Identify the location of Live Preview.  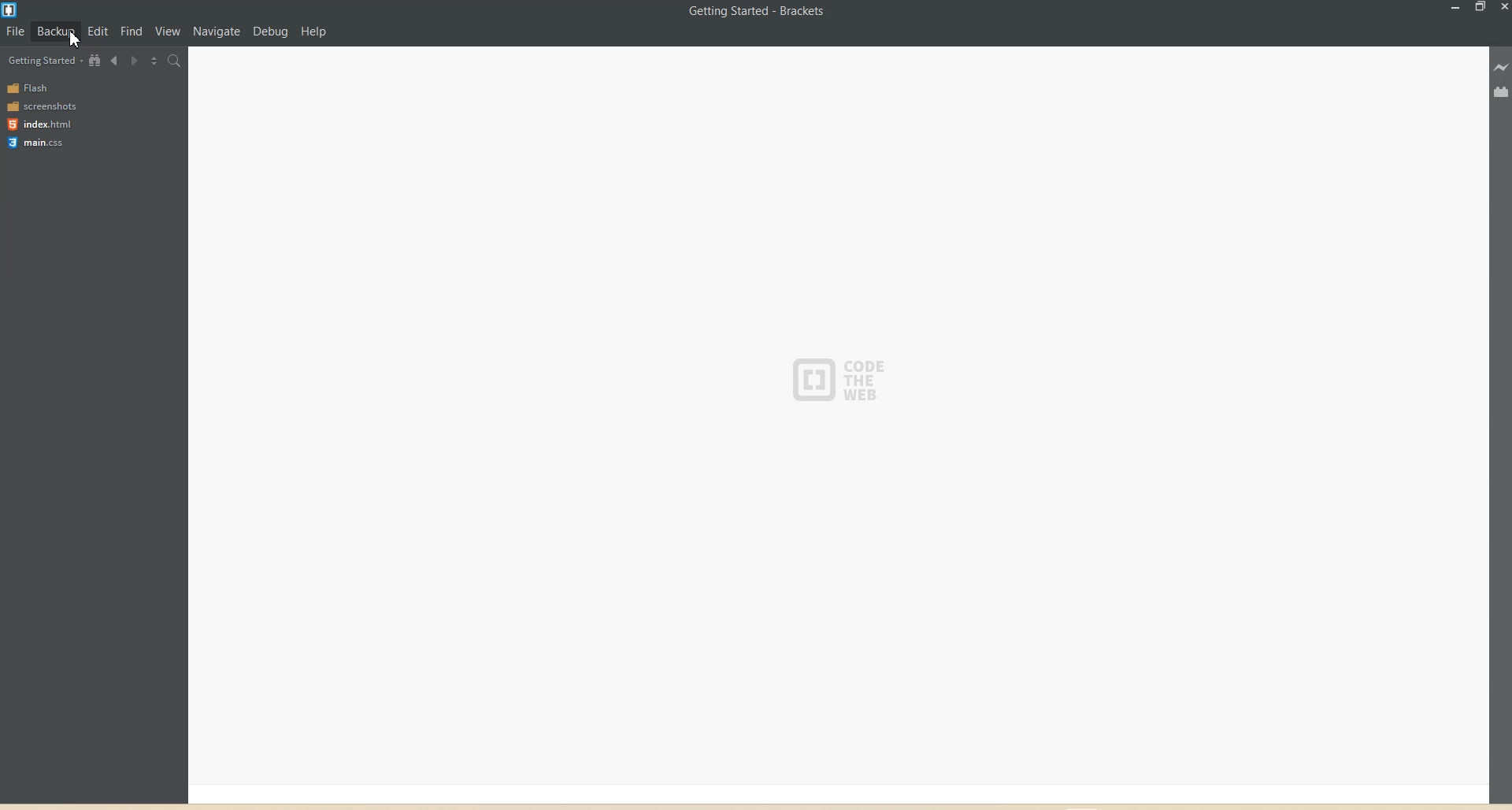
(1502, 68).